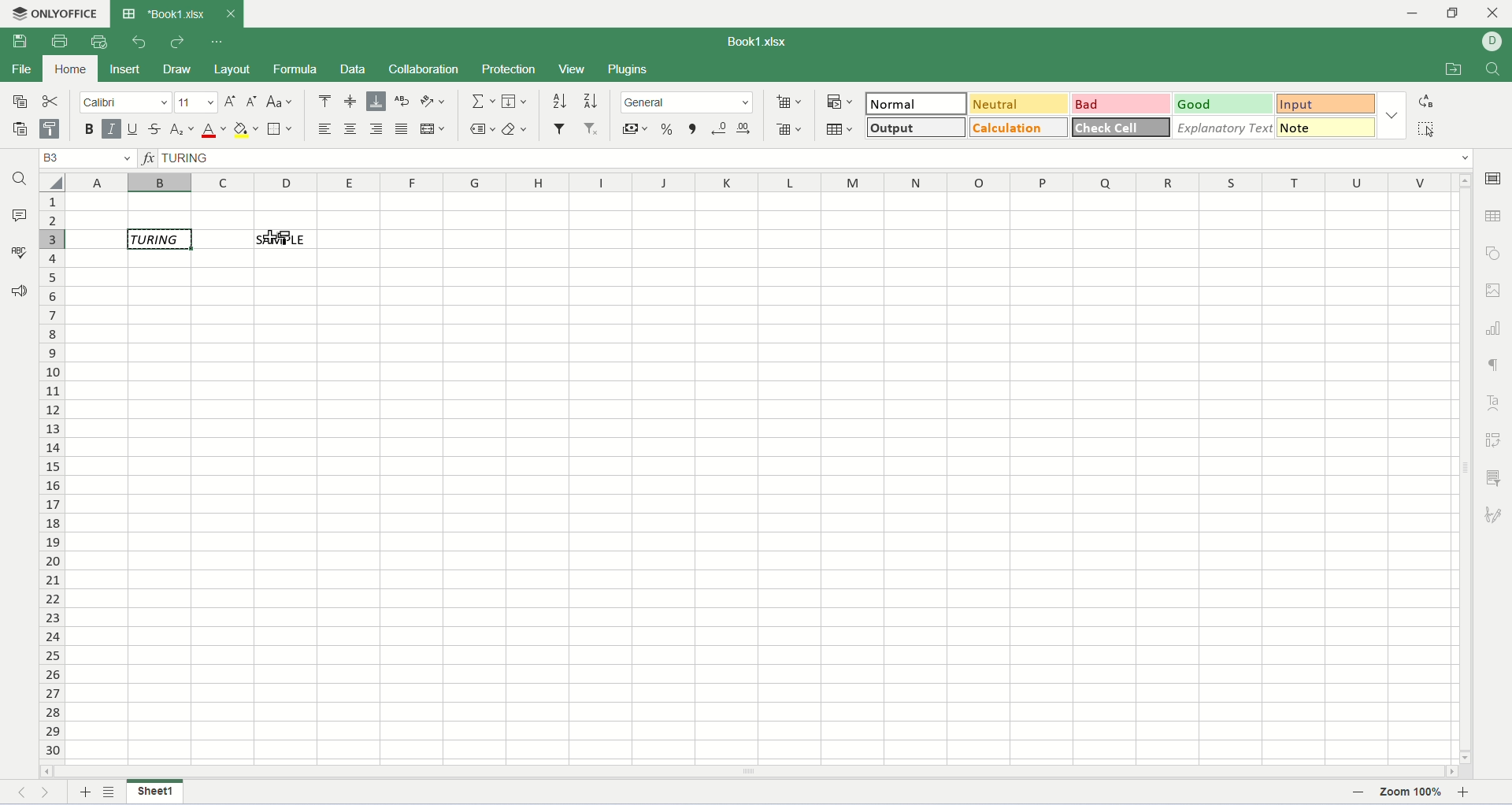 This screenshot has width=1512, height=805. Describe the element at coordinates (841, 128) in the screenshot. I see `table` at that location.